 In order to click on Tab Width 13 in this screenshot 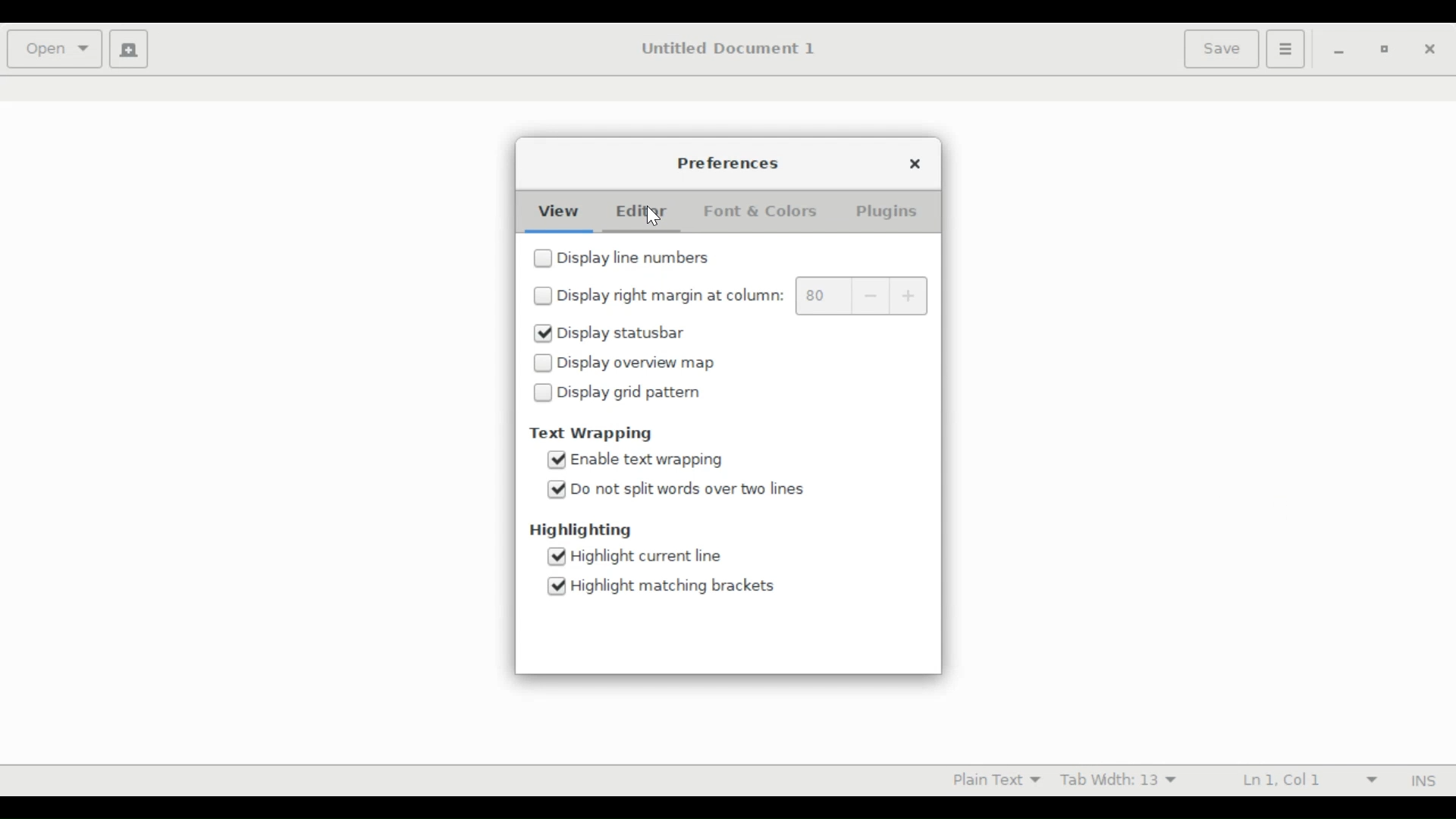, I will do `click(1122, 782)`.